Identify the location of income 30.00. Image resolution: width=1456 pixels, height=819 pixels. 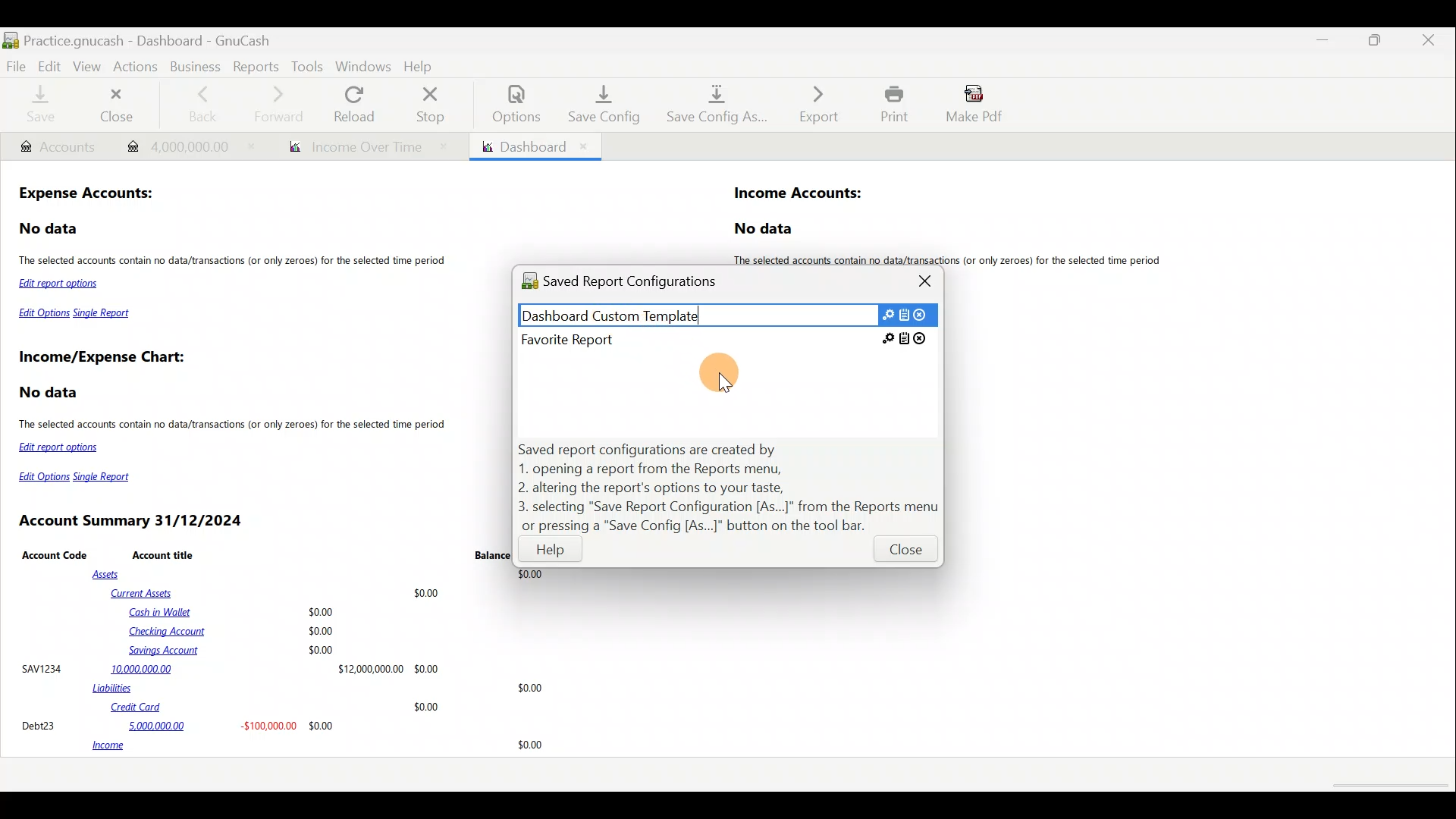
(317, 746).